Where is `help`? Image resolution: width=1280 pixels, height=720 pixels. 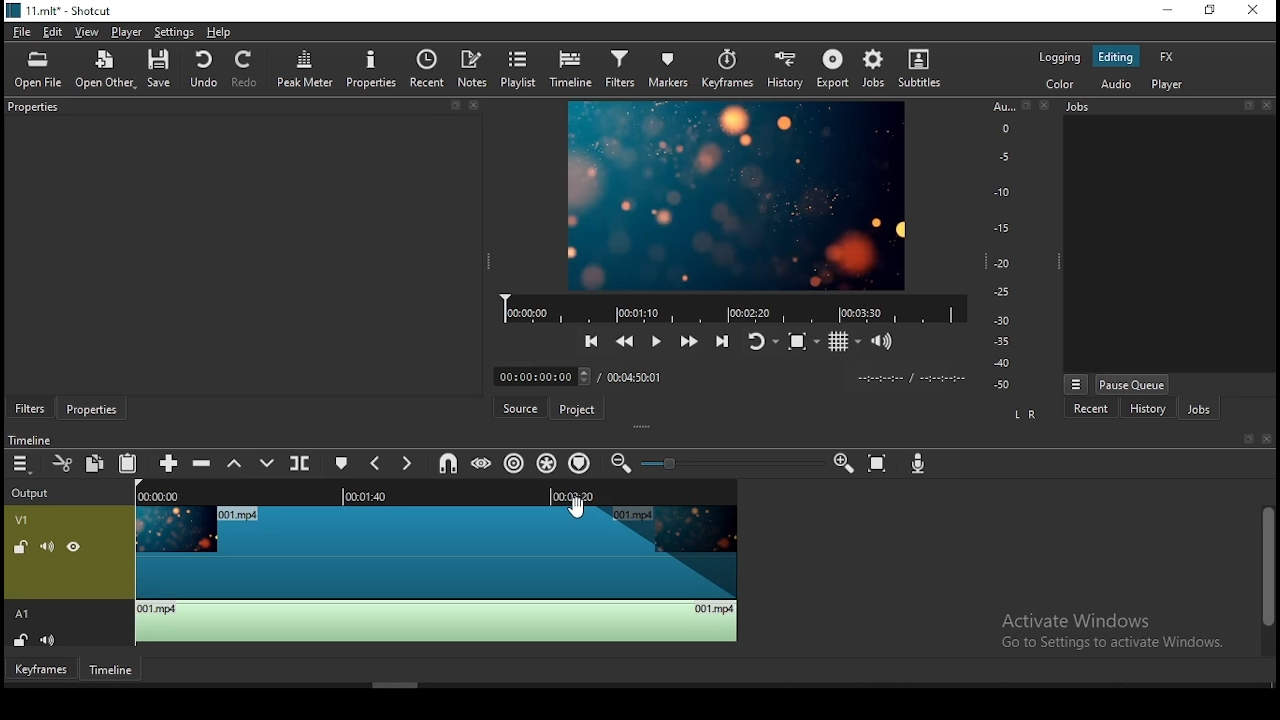
help is located at coordinates (223, 32).